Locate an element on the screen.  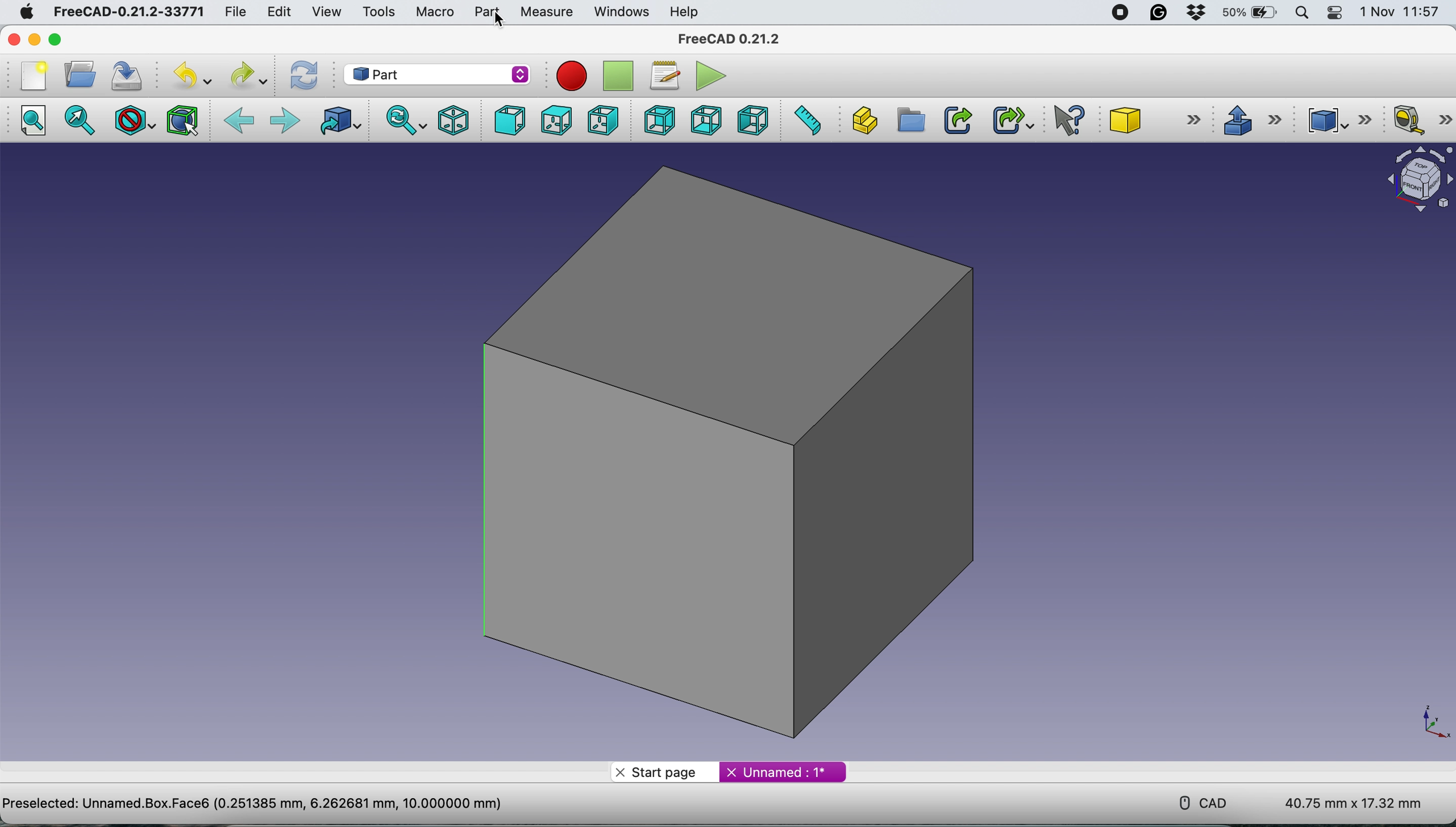
isometric is located at coordinates (449, 121).